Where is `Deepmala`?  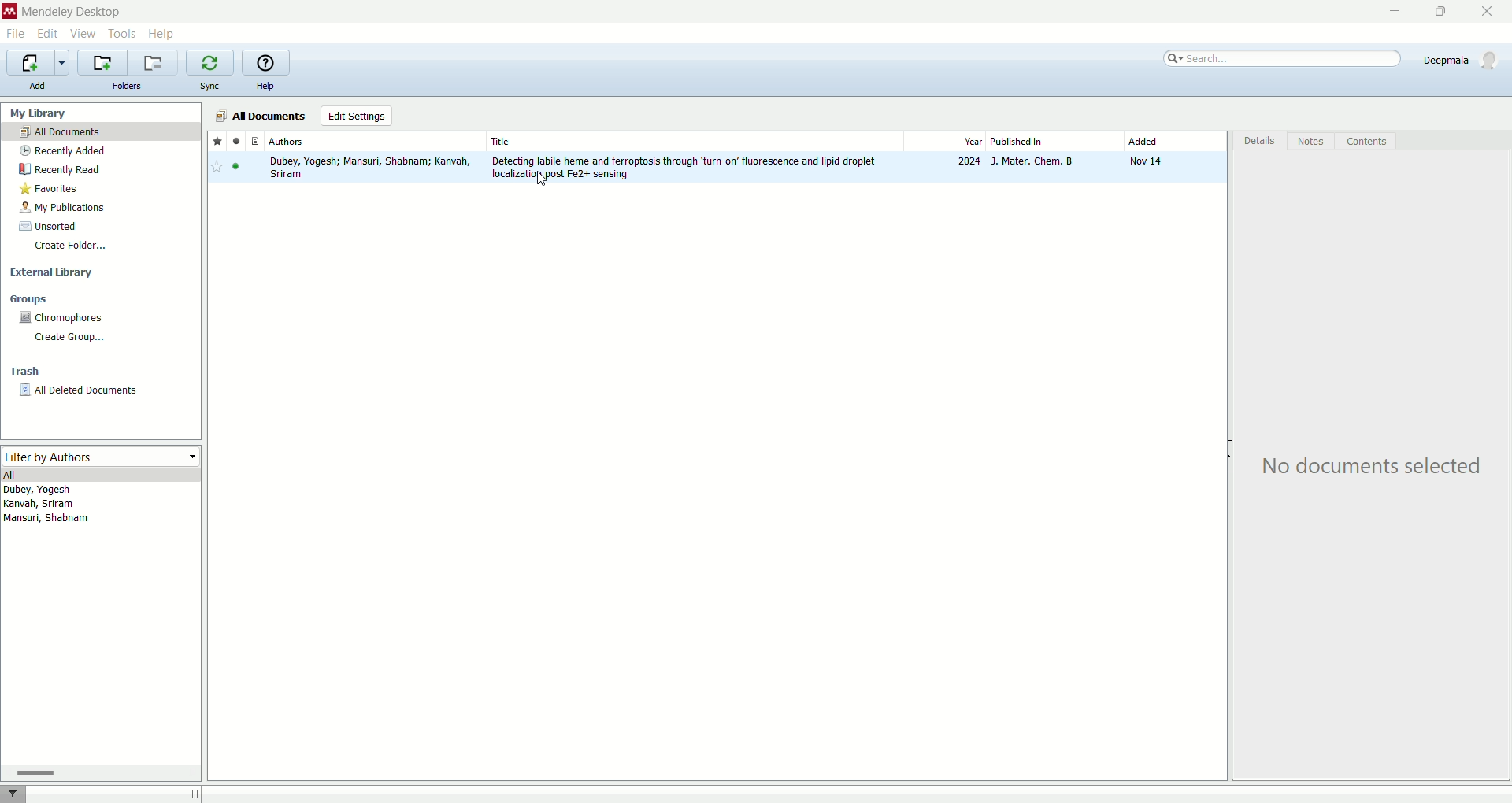
Deepmala is located at coordinates (1462, 57).